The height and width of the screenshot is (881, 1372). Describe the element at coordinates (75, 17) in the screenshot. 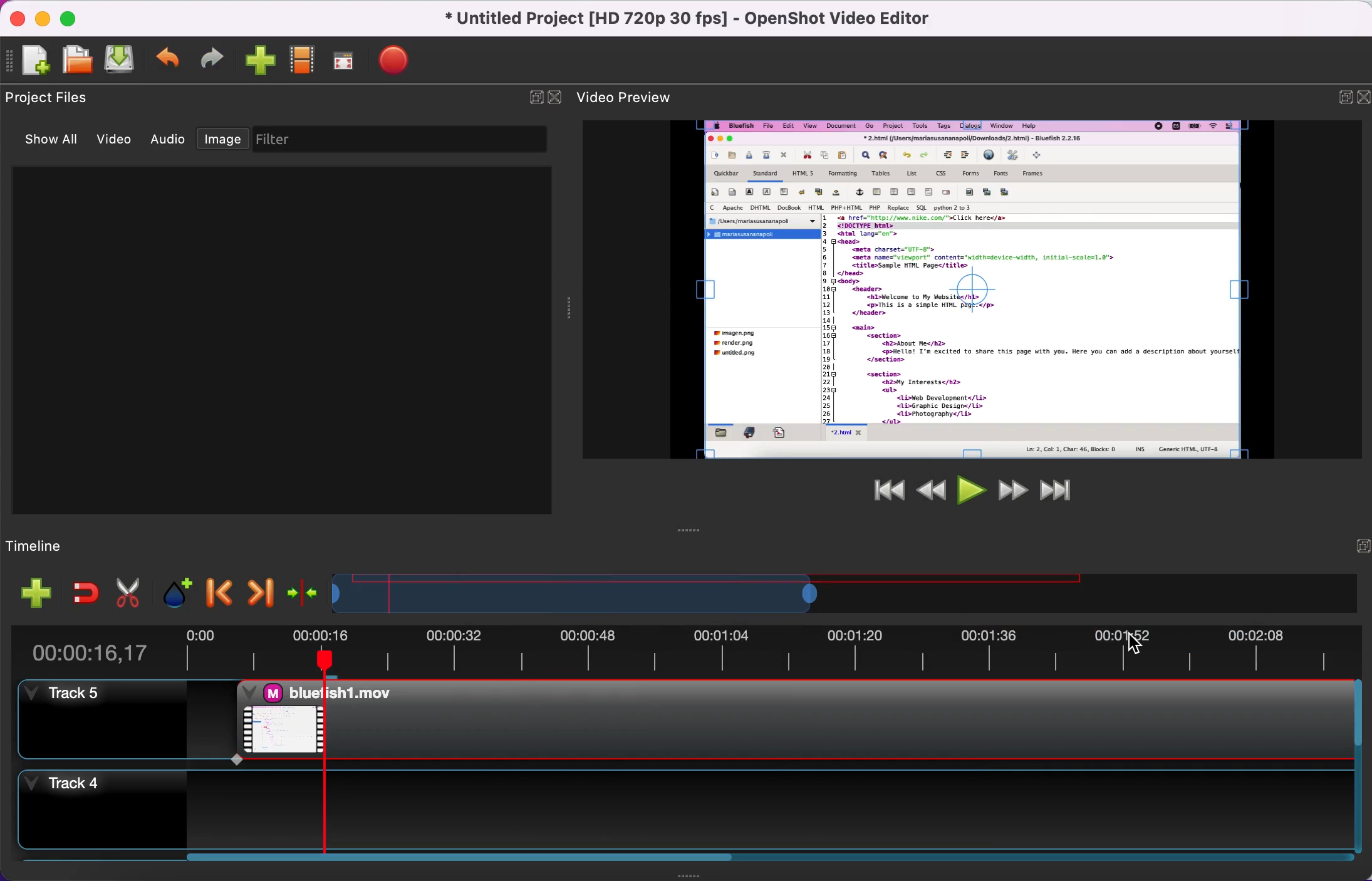

I see `maximize` at that location.